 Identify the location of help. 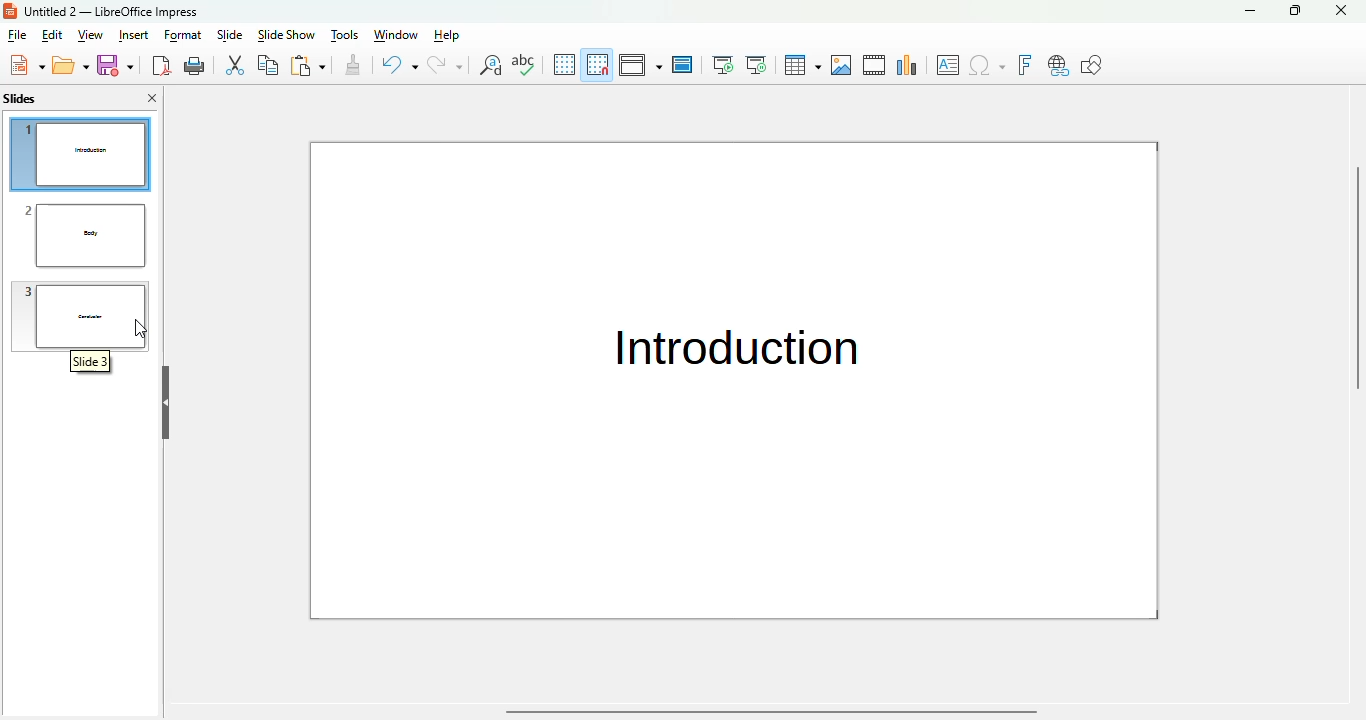
(446, 35).